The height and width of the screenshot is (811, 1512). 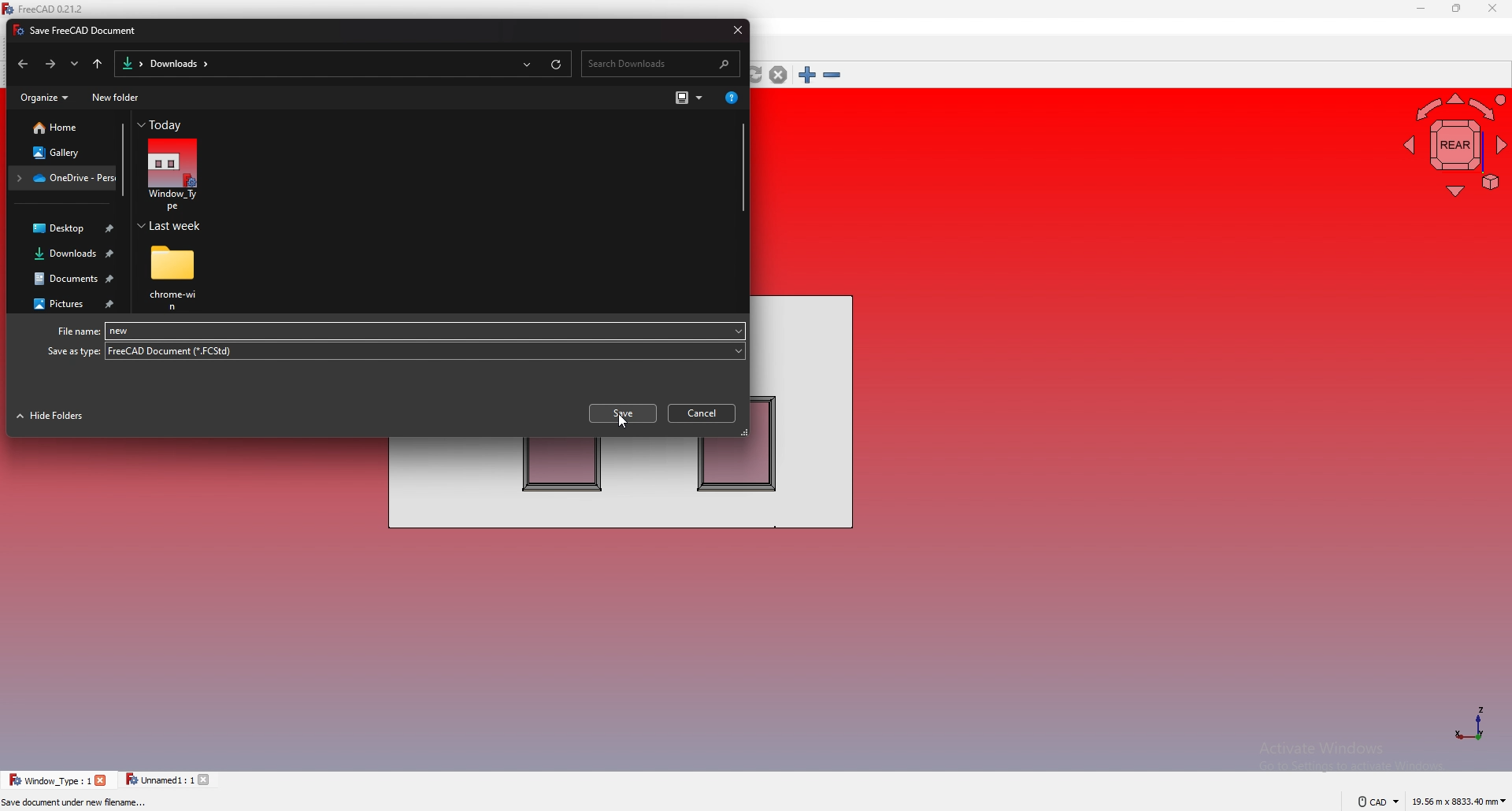 I want to click on refresh, so click(x=557, y=62).